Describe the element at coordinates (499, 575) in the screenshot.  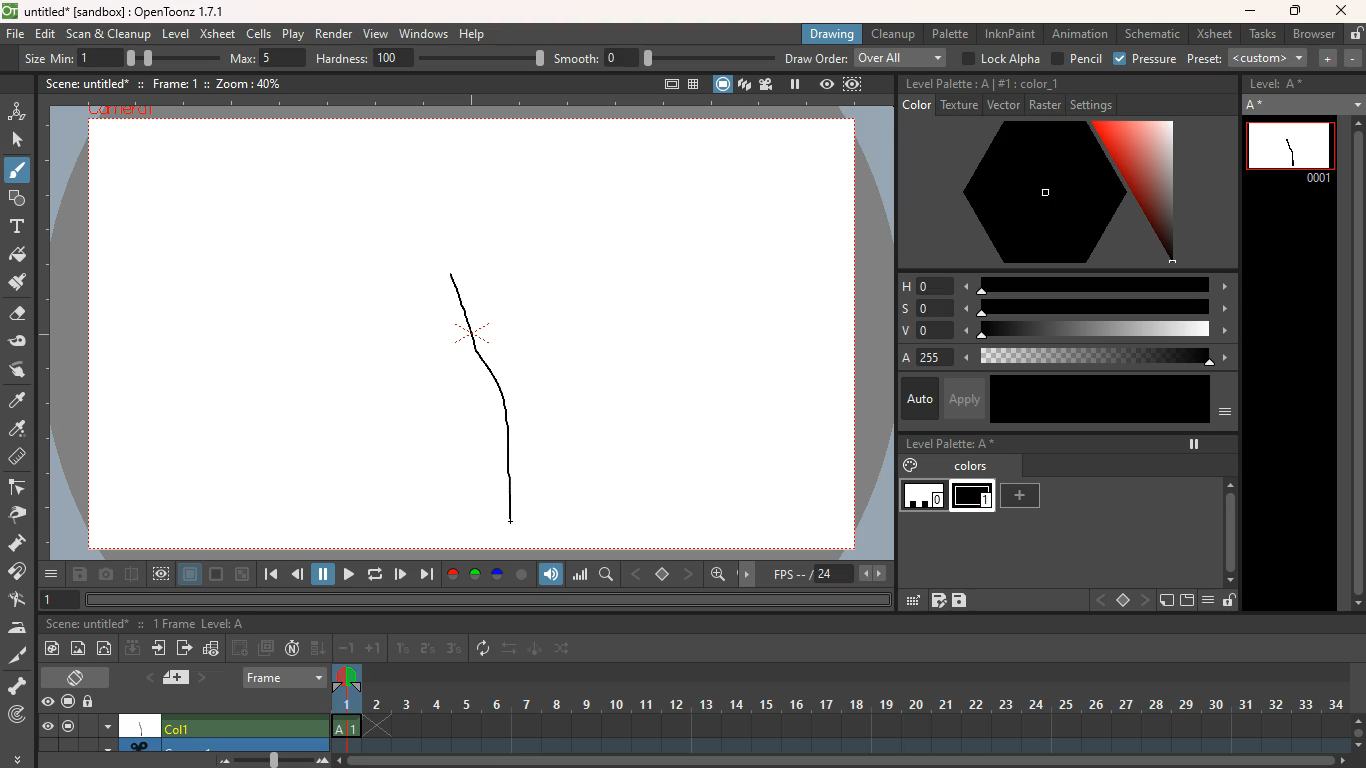
I see `blue` at that location.